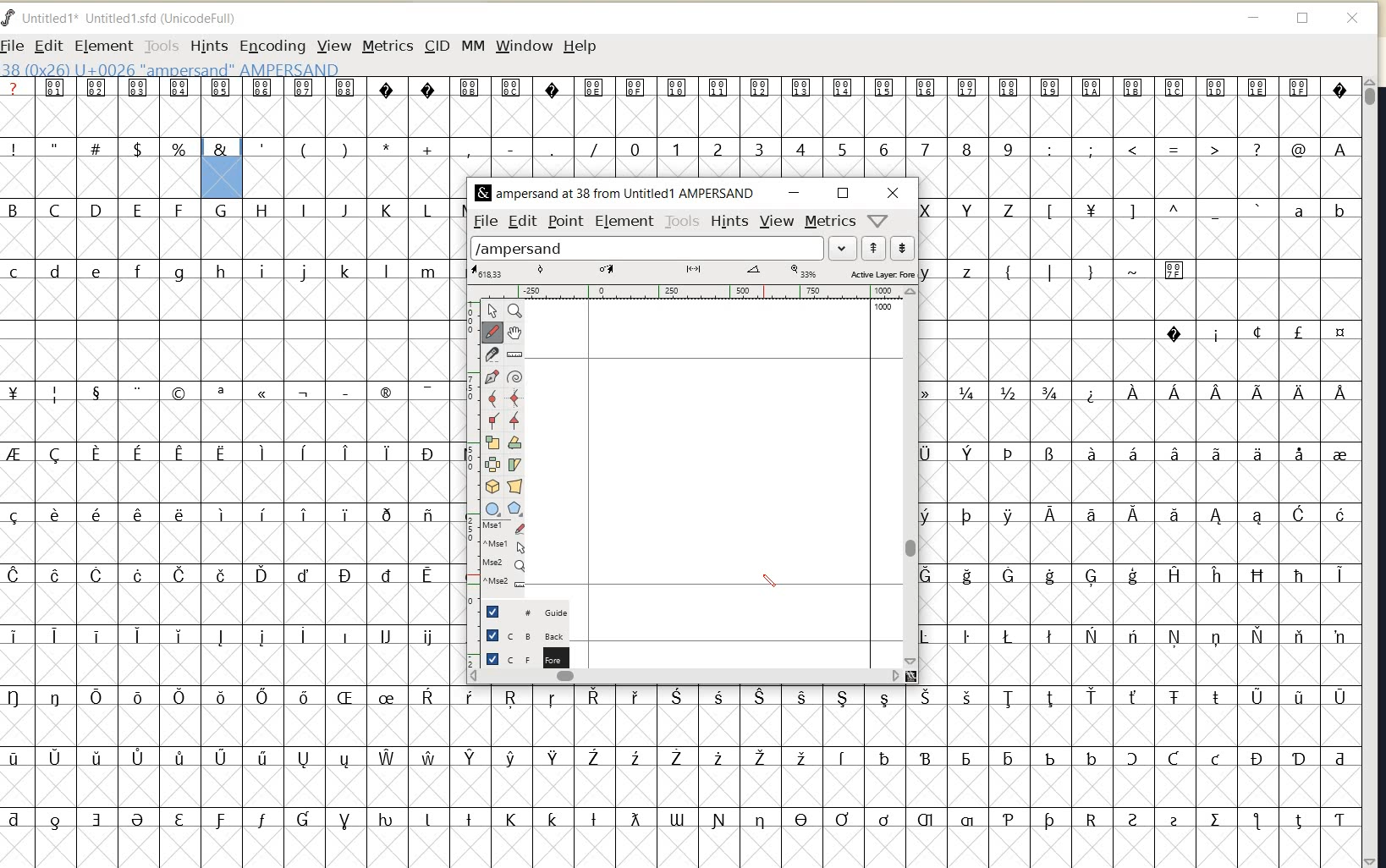 The height and width of the screenshot is (868, 1386). Describe the element at coordinates (1354, 18) in the screenshot. I see `close` at that location.